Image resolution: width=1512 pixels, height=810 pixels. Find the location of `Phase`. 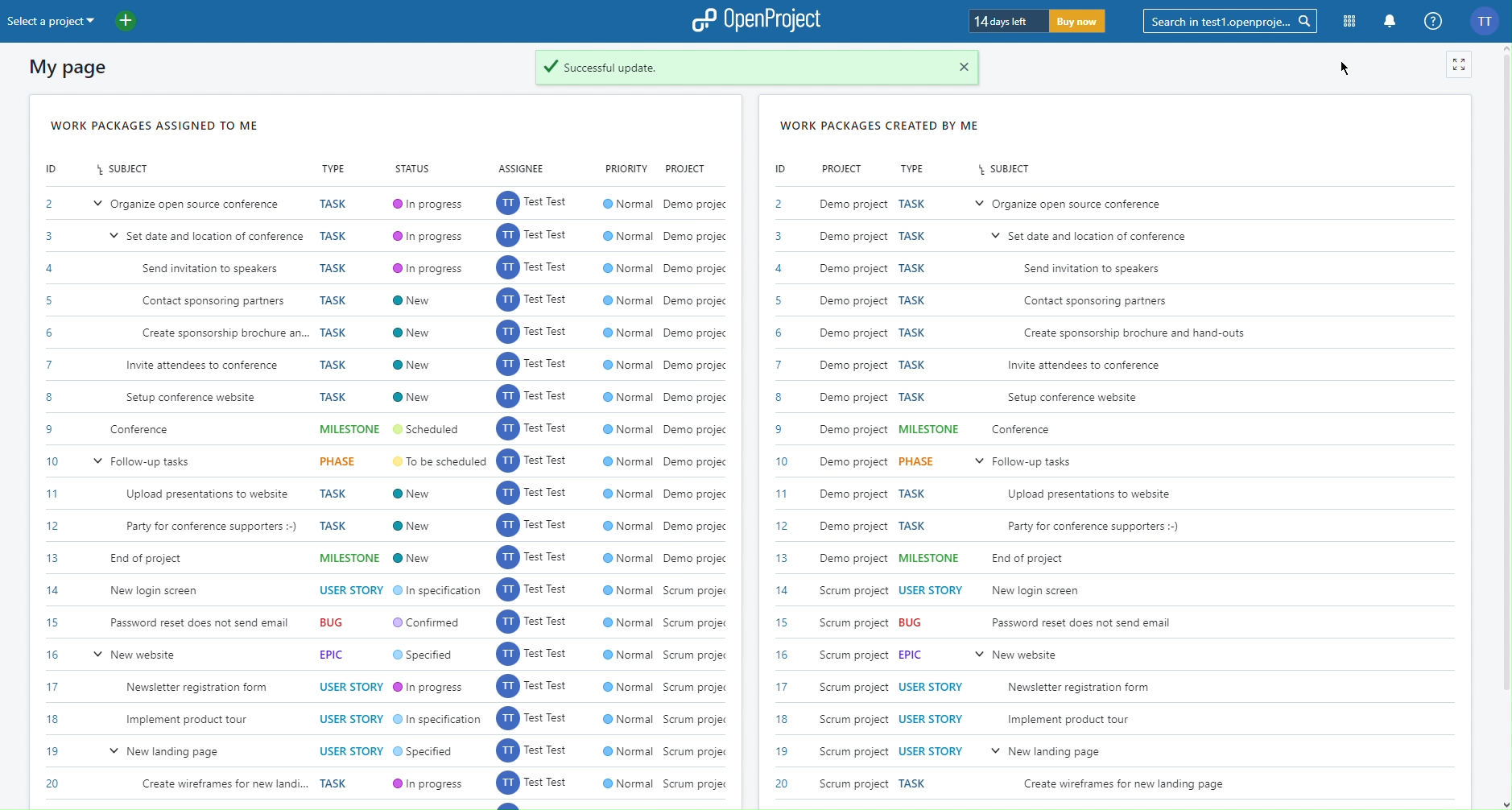

Phase is located at coordinates (916, 462).